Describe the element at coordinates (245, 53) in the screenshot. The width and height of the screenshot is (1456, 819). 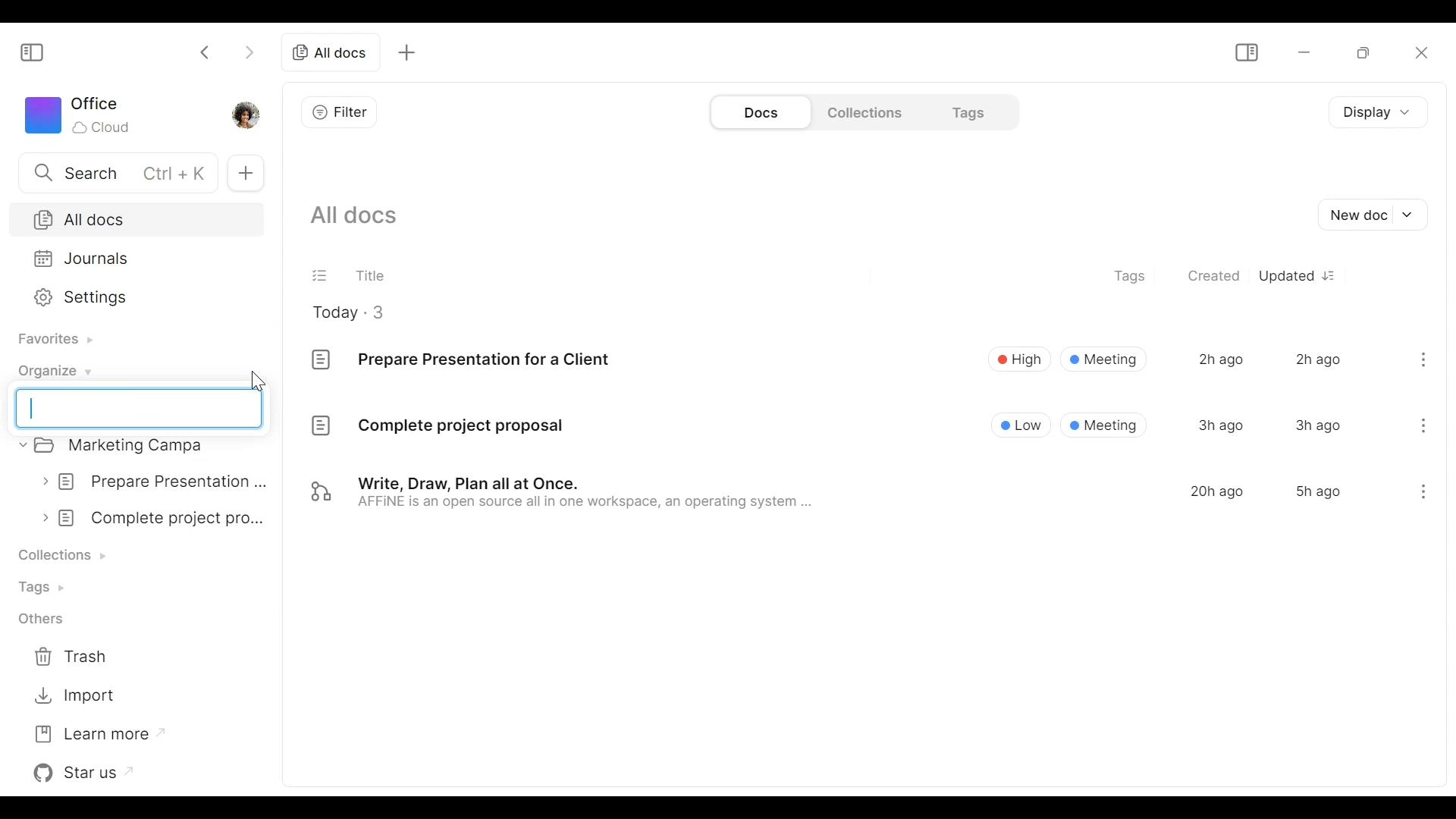
I see `Click to go forward` at that location.